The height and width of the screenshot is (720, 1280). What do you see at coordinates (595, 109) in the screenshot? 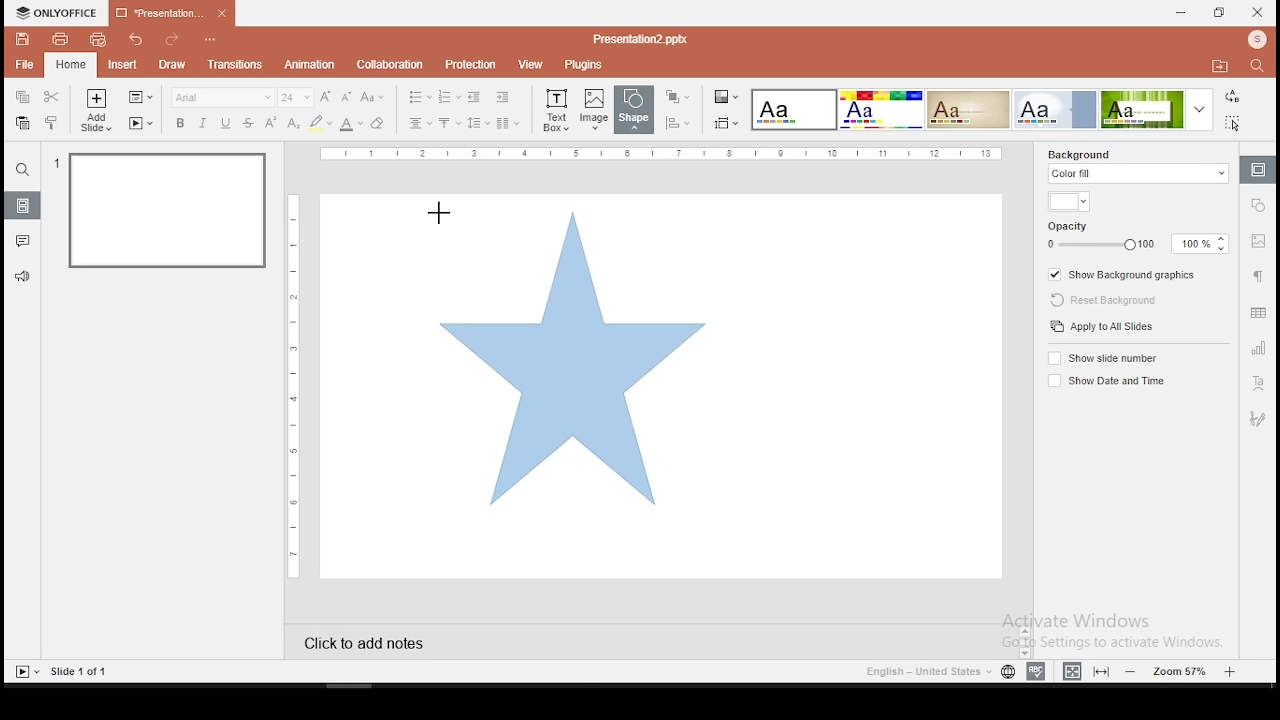
I see `image` at bounding box center [595, 109].